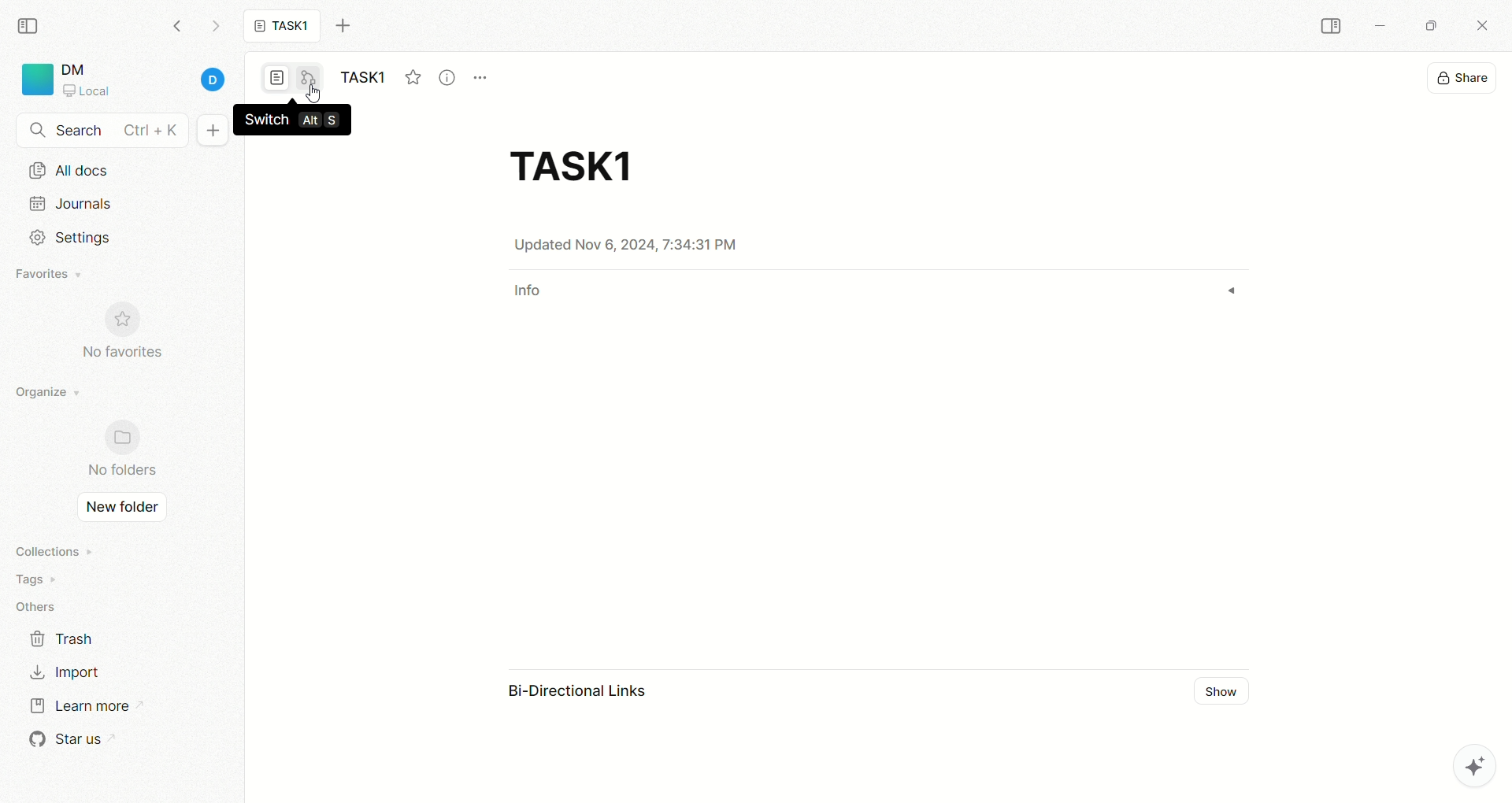 The width and height of the screenshot is (1512, 803). I want to click on share, so click(1464, 76).